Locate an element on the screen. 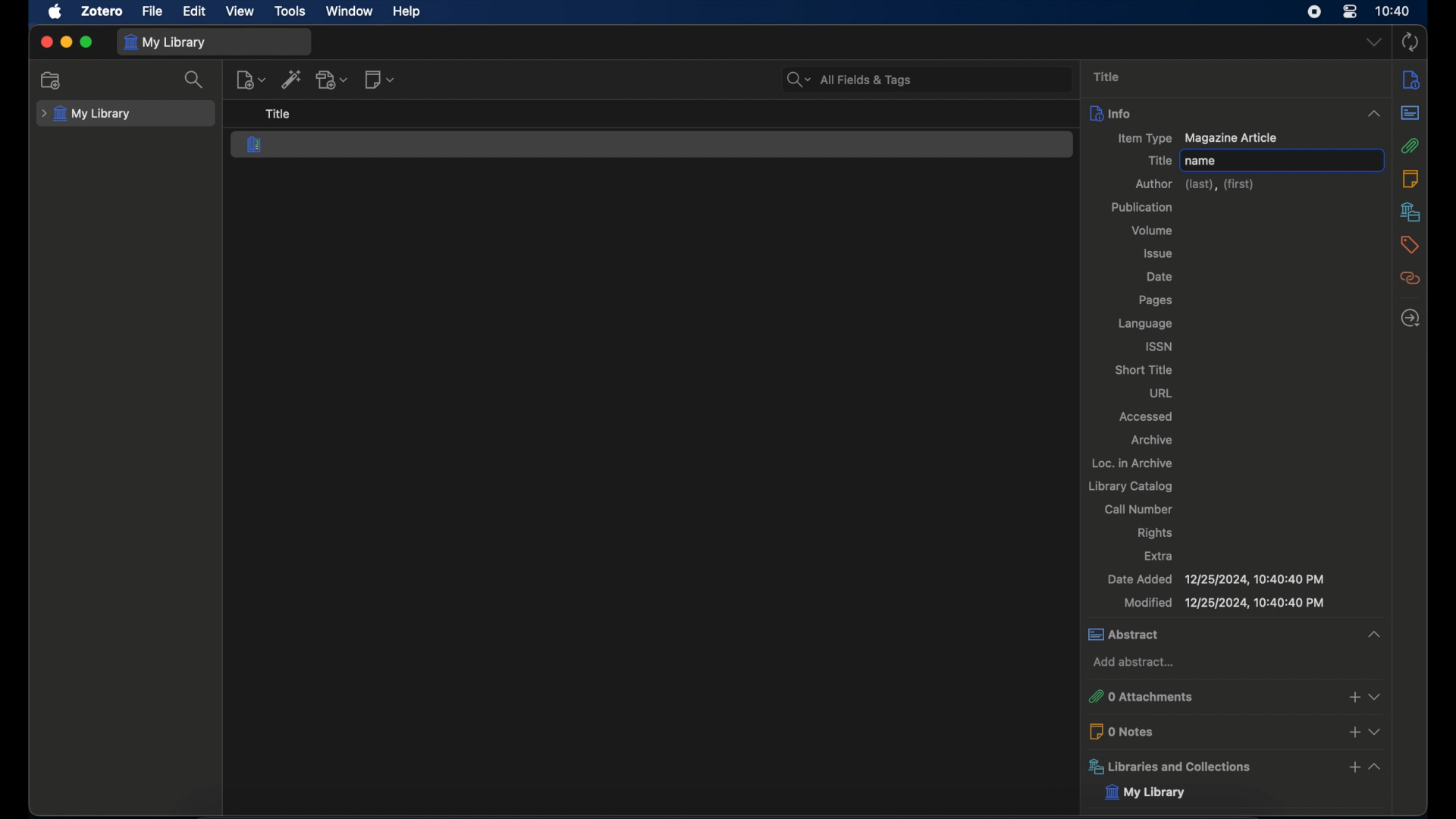  my library is located at coordinates (1157, 793).